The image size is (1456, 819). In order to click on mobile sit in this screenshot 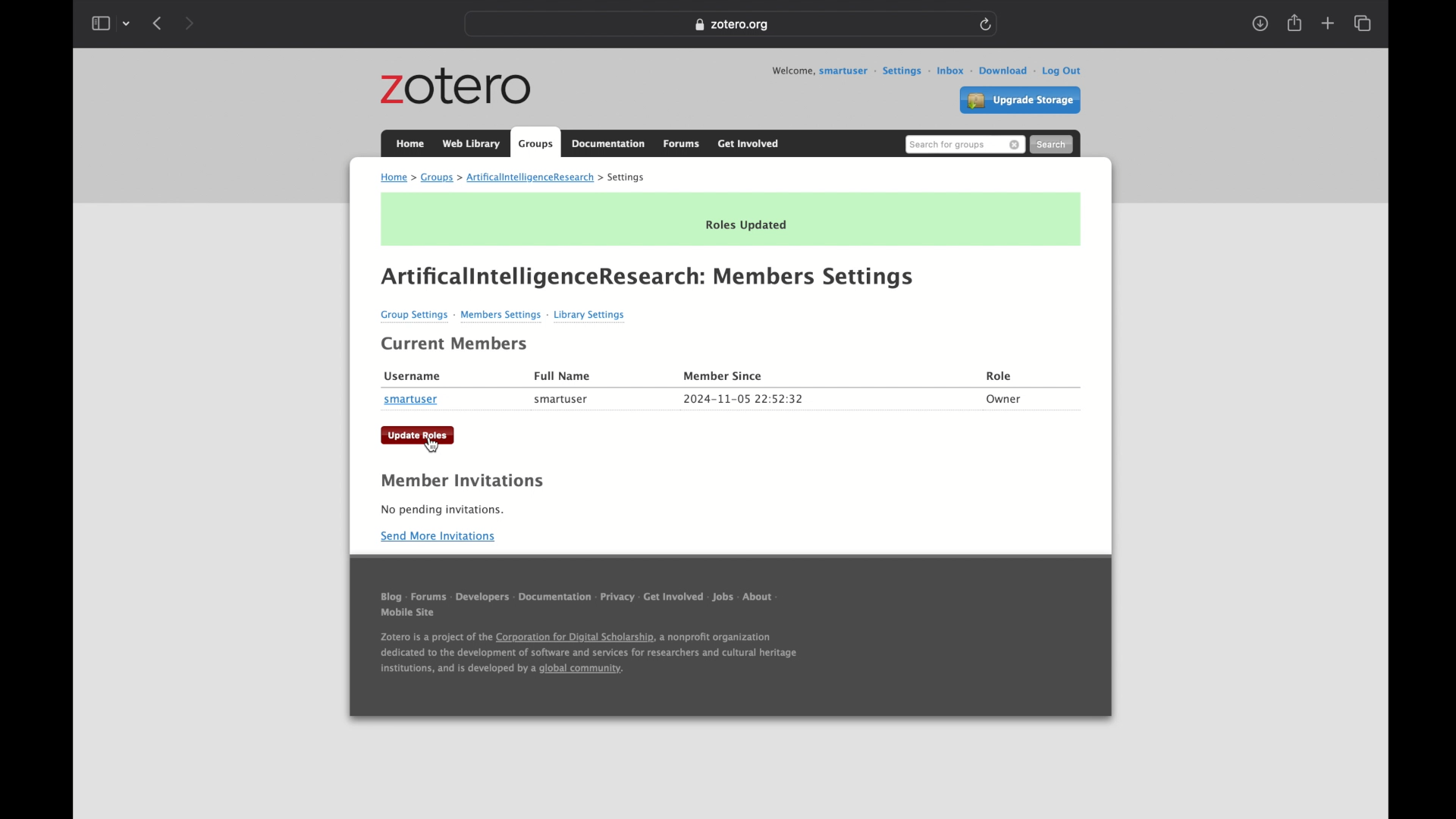, I will do `click(409, 617)`.